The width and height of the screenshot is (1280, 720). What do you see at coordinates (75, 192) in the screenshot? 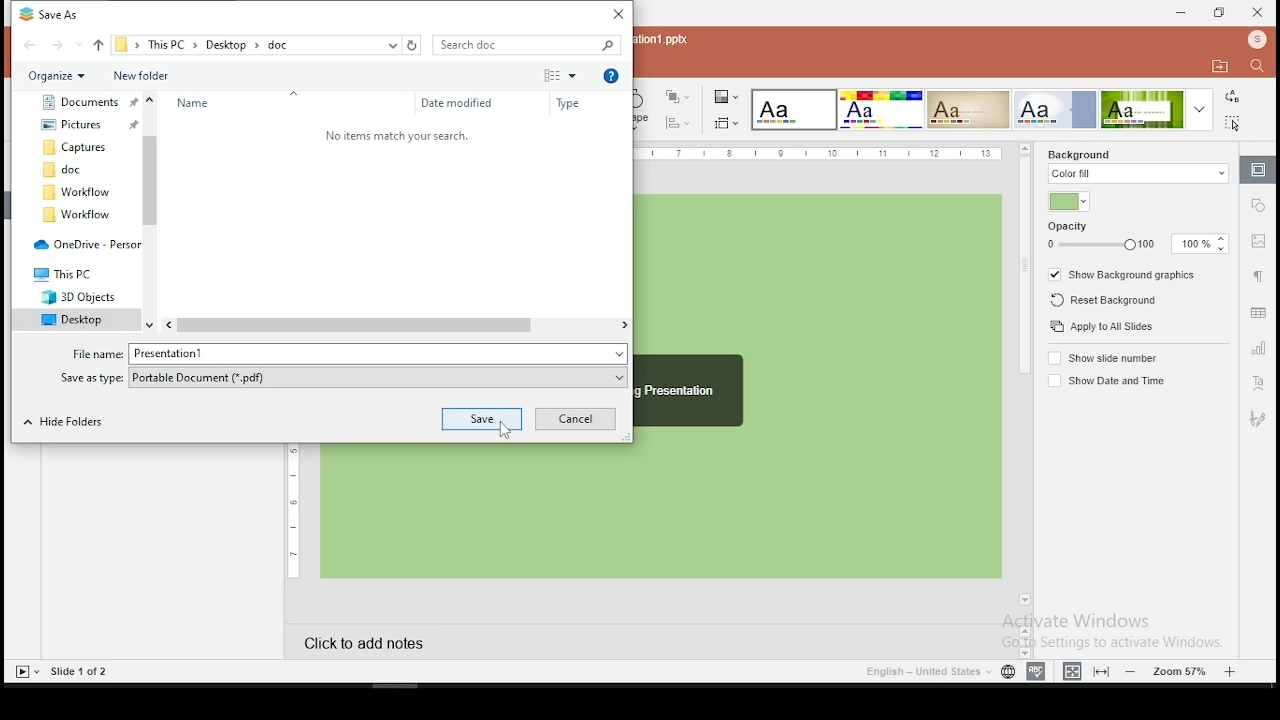
I see `workflow` at bounding box center [75, 192].